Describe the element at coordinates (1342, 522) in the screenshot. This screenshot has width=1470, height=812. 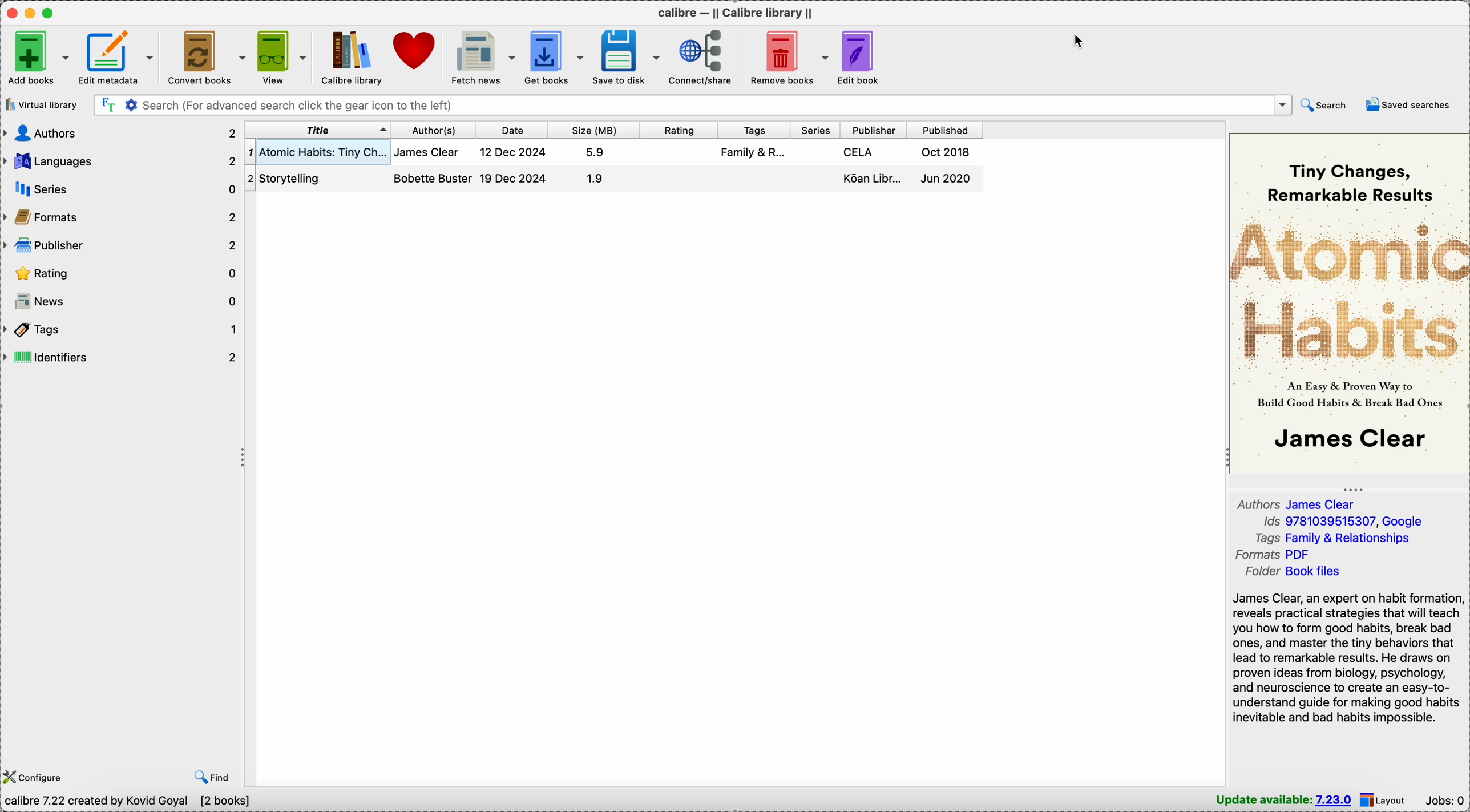
I see `Ids: 97810395153985307, google` at that location.